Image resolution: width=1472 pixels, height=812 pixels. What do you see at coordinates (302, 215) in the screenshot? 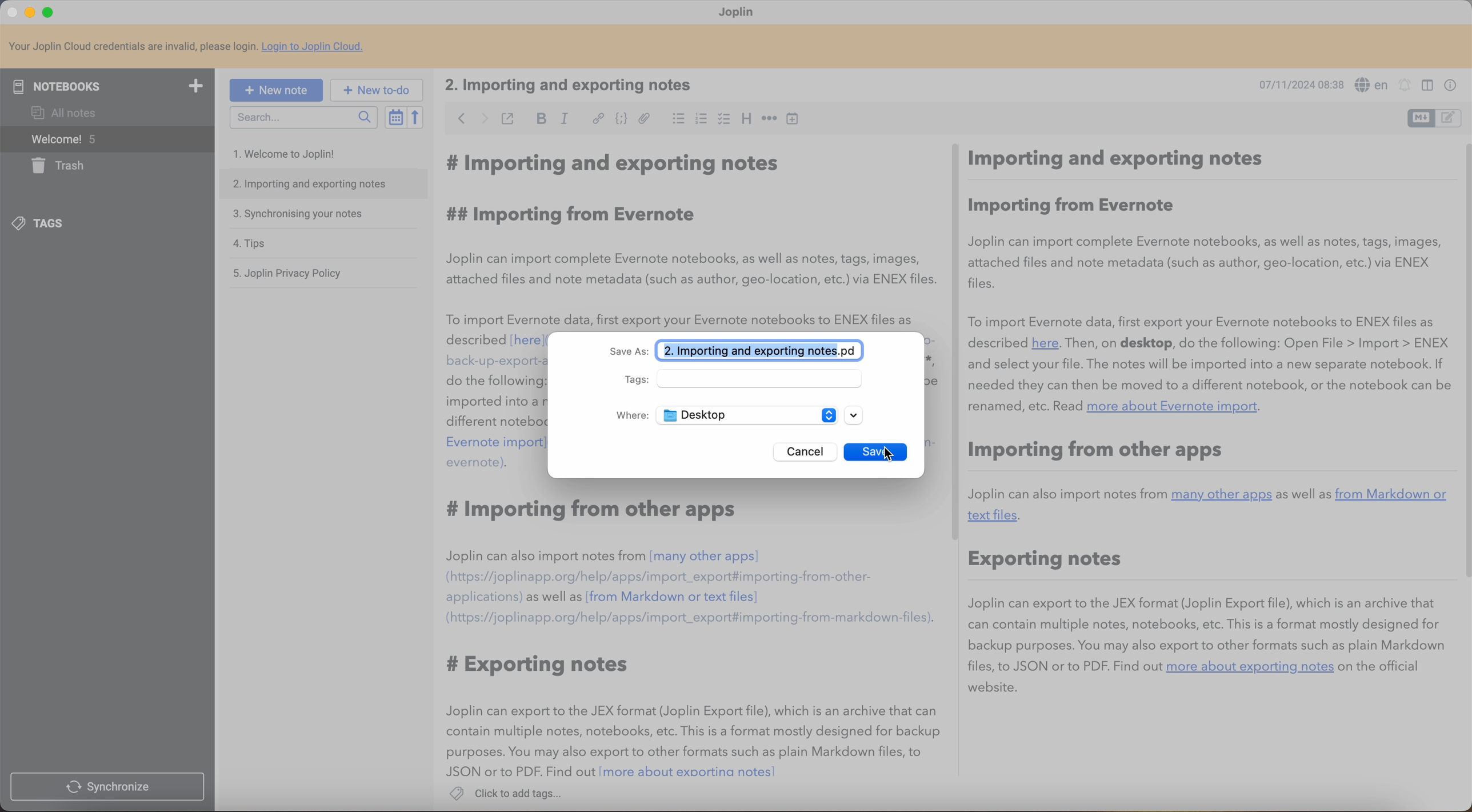
I see `synchronising your notes` at bounding box center [302, 215].